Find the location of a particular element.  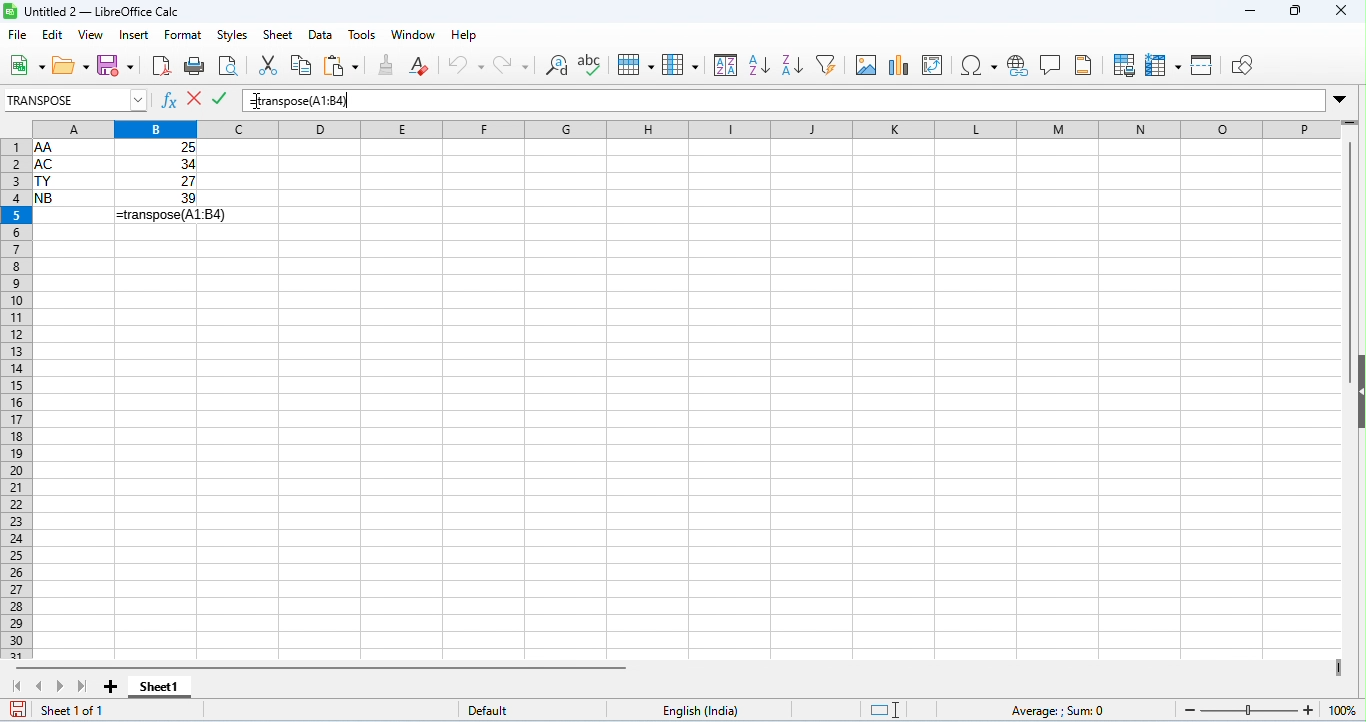

drop down is located at coordinates (1341, 100).